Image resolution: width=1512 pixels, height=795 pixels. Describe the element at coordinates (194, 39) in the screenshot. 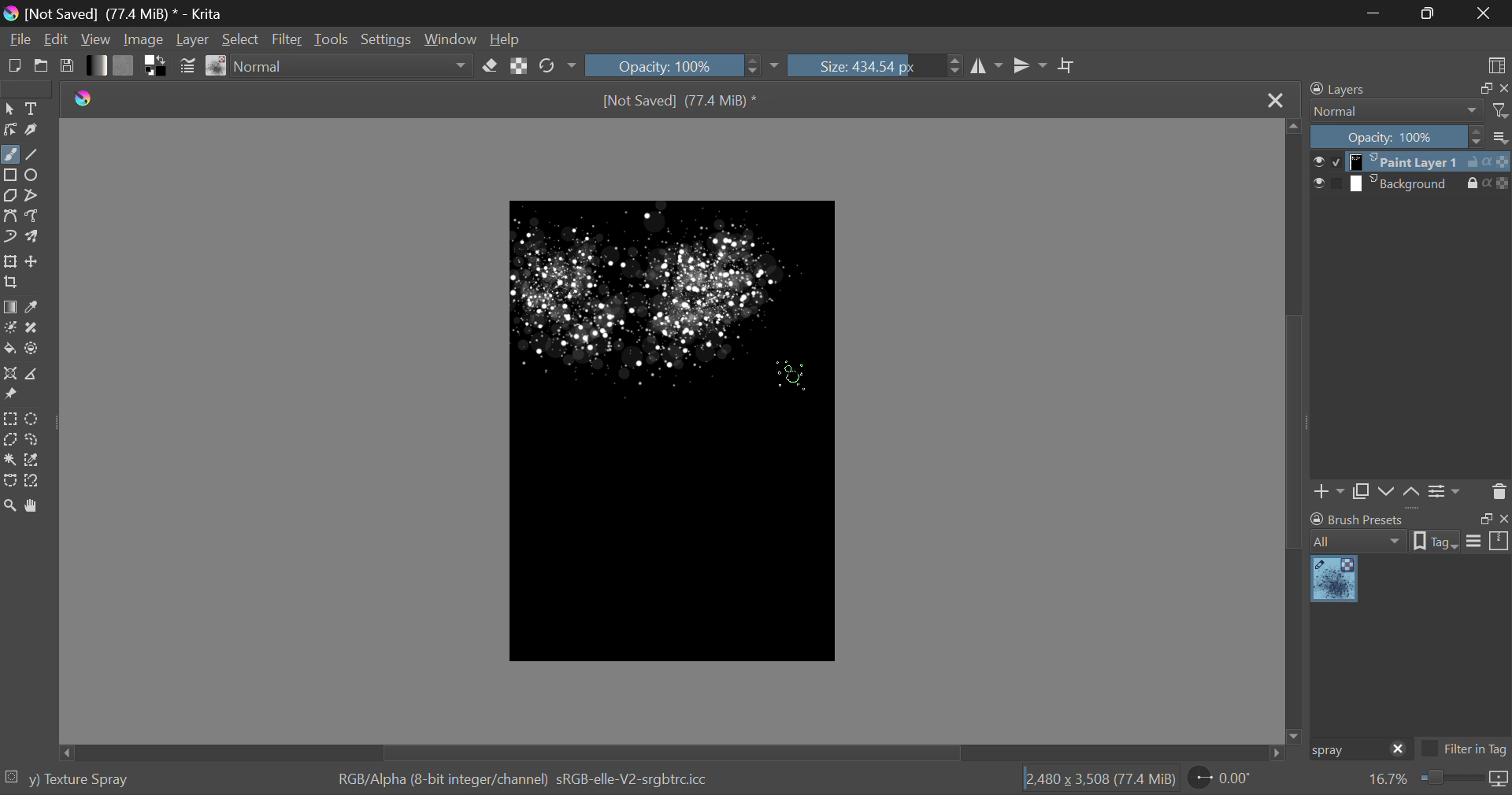

I see `Layer` at that location.